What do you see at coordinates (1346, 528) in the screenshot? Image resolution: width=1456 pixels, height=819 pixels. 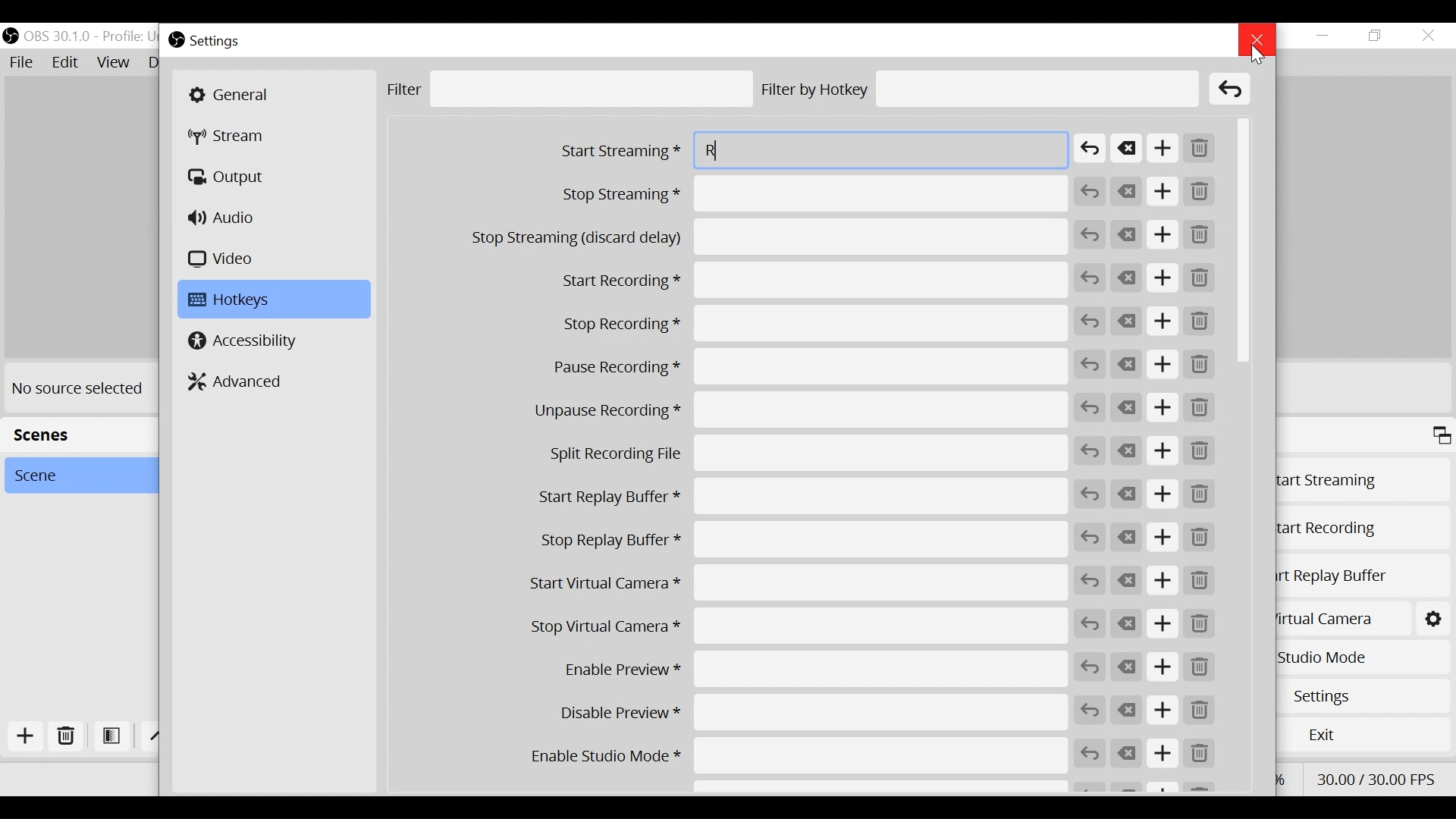 I see `Start Recording` at bounding box center [1346, 528].